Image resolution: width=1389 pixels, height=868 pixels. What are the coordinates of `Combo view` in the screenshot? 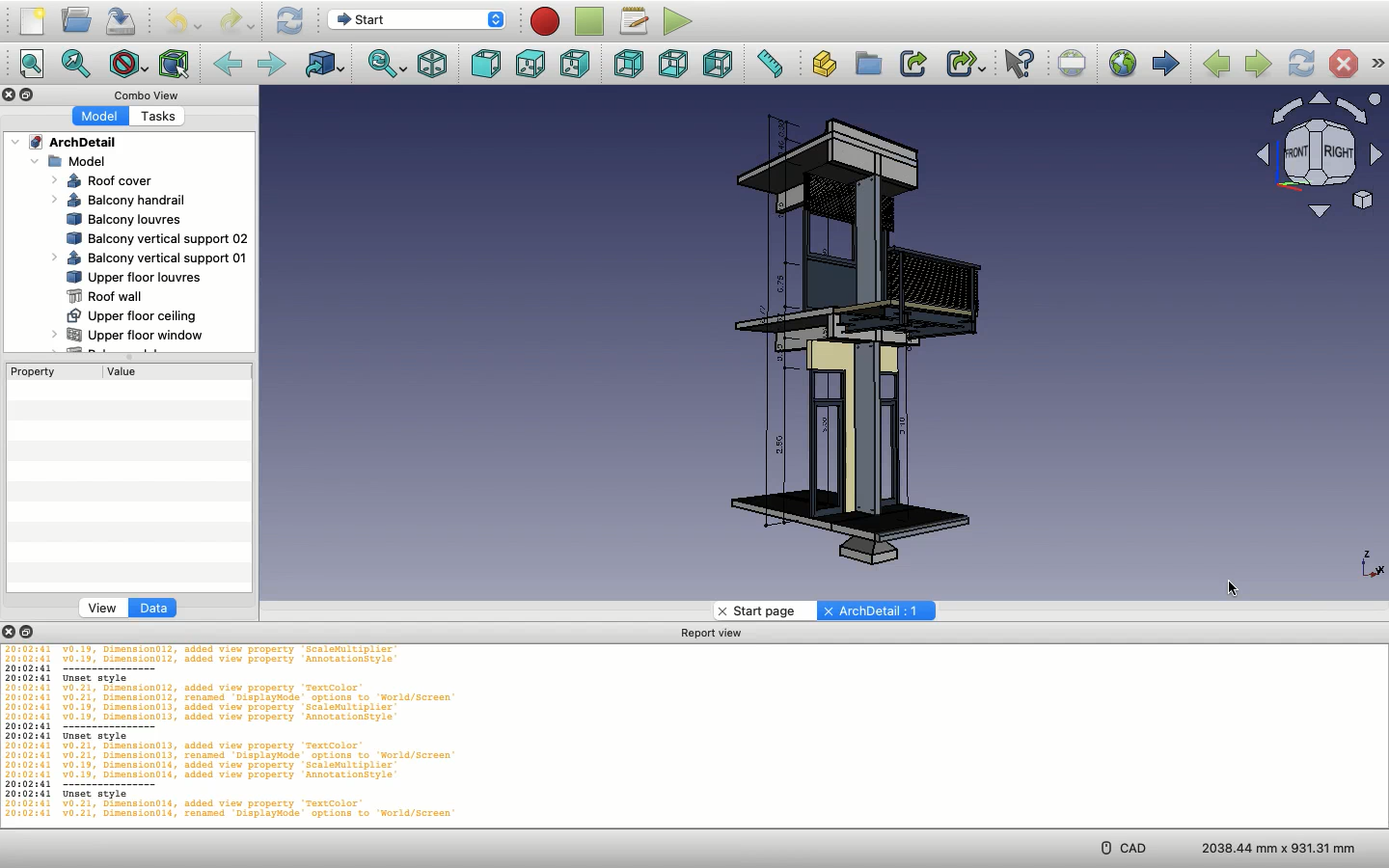 It's located at (147, 95).